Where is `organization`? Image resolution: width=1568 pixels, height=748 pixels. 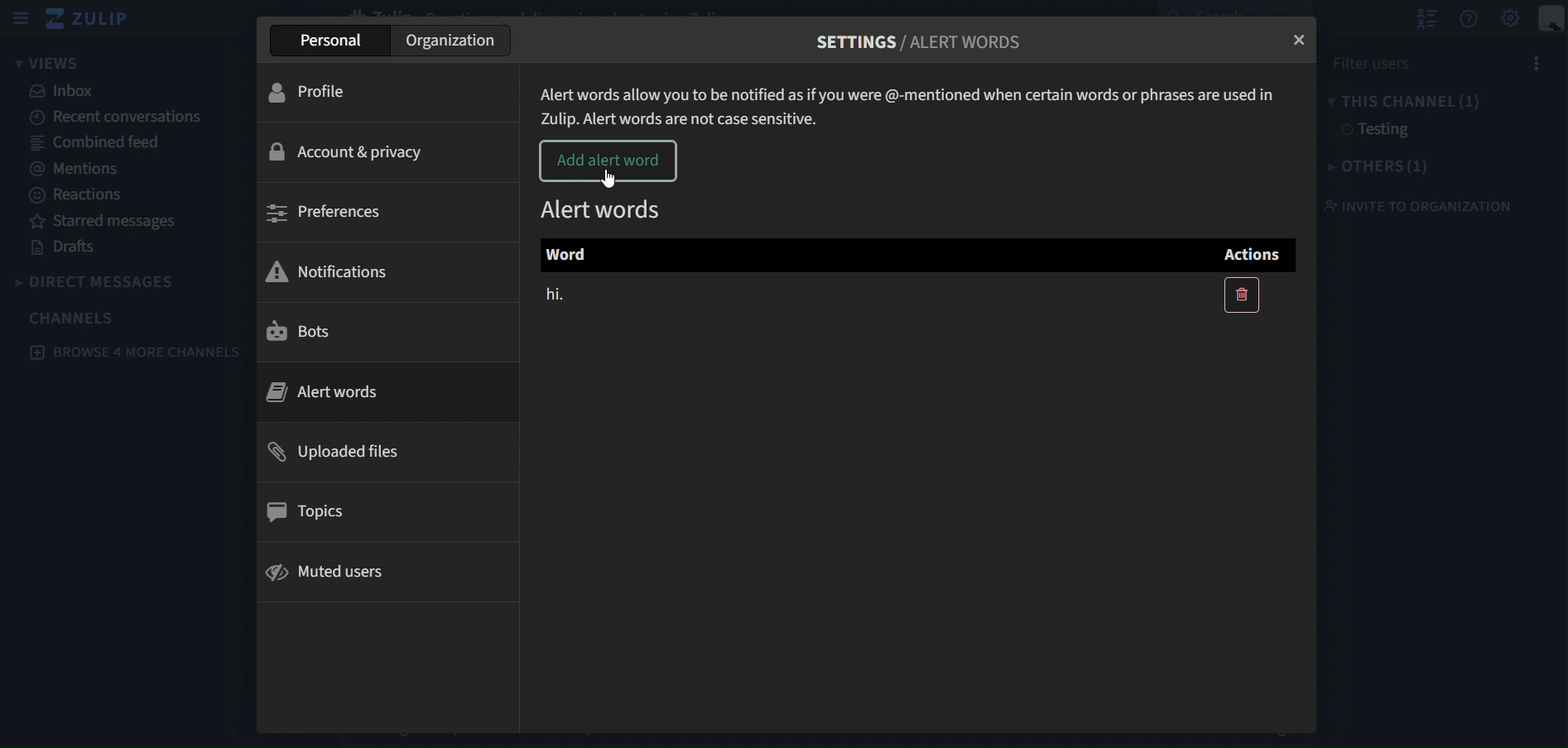 organization is located at coordinates (453, 40).